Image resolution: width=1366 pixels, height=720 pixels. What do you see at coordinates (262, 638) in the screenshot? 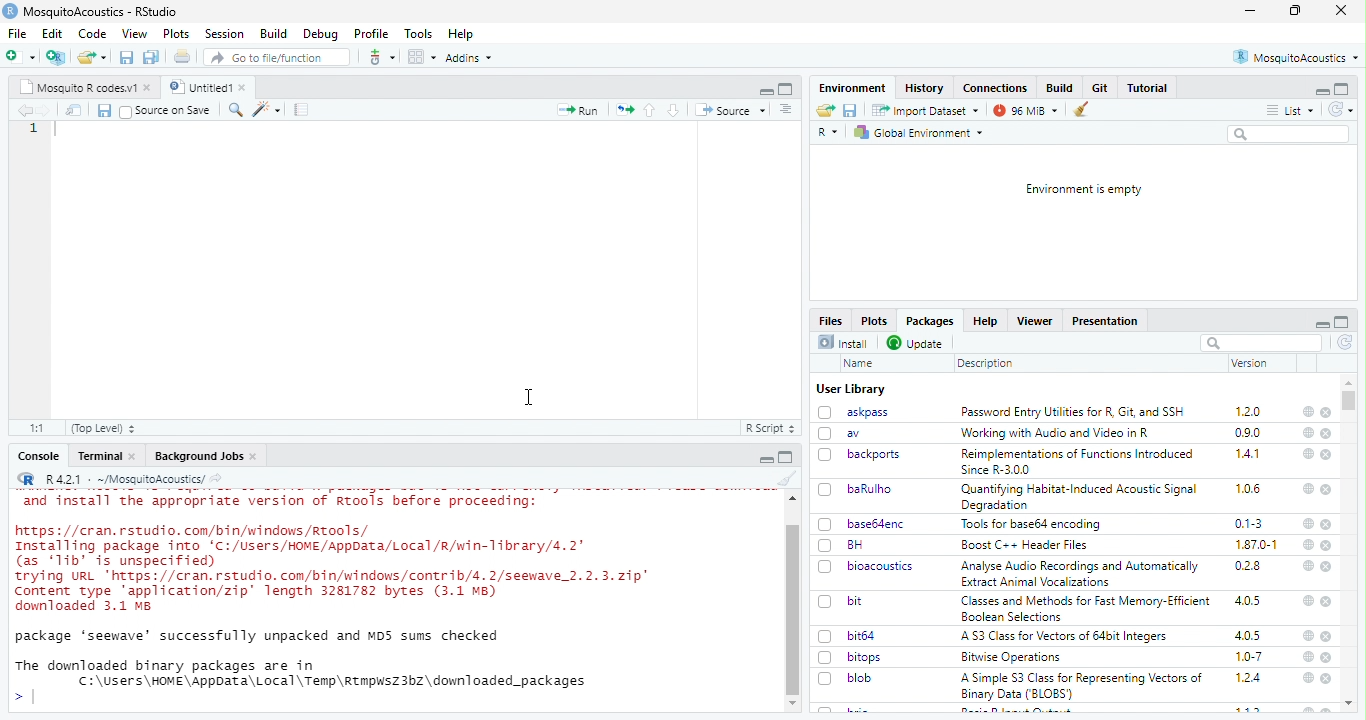
I see `package ‘seewave' successfully unpacked and mMD5 sums checked` at bounding box center [262, 638].